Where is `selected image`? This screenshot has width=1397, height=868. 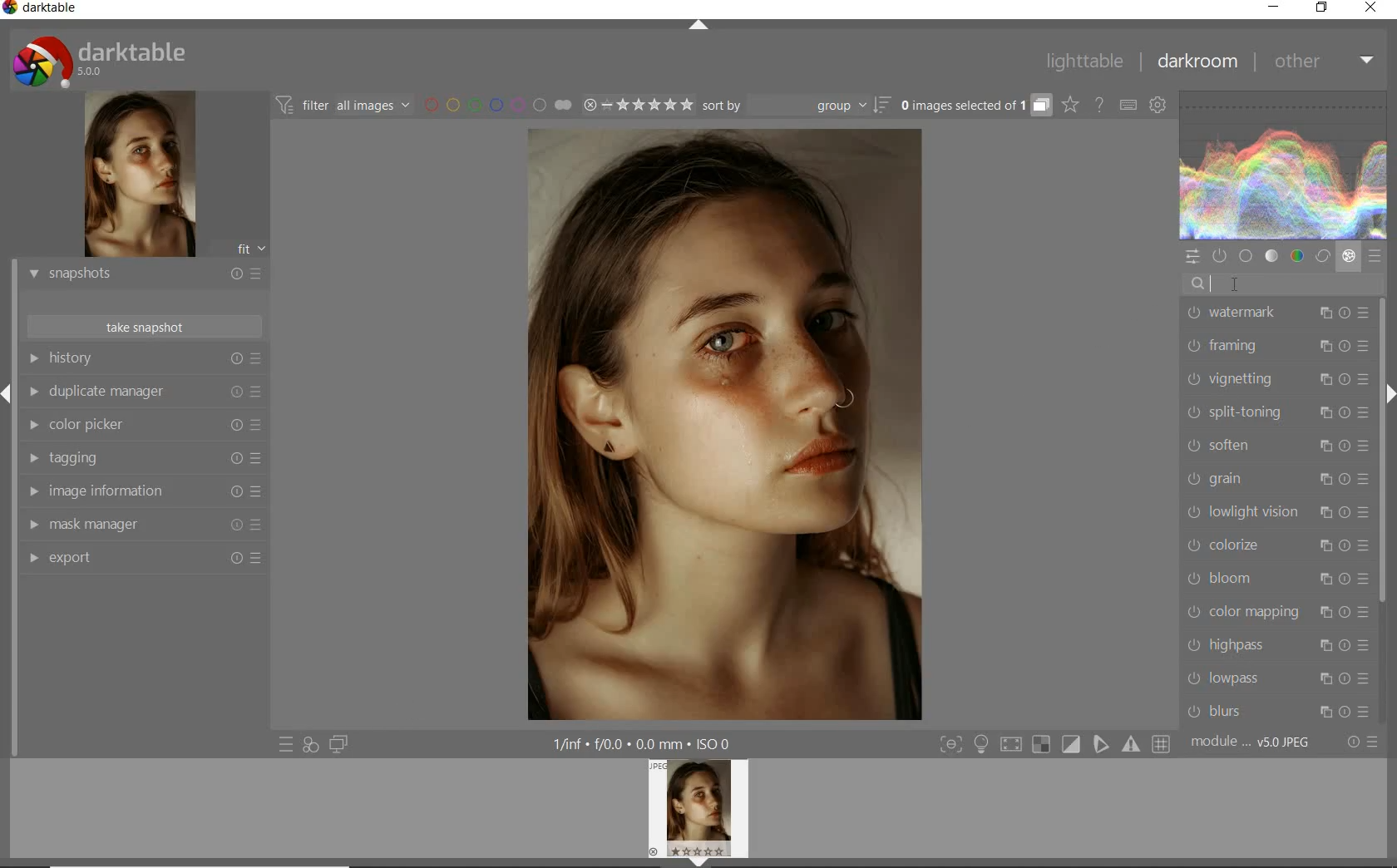 selected image is located at coordinates (720, 423).